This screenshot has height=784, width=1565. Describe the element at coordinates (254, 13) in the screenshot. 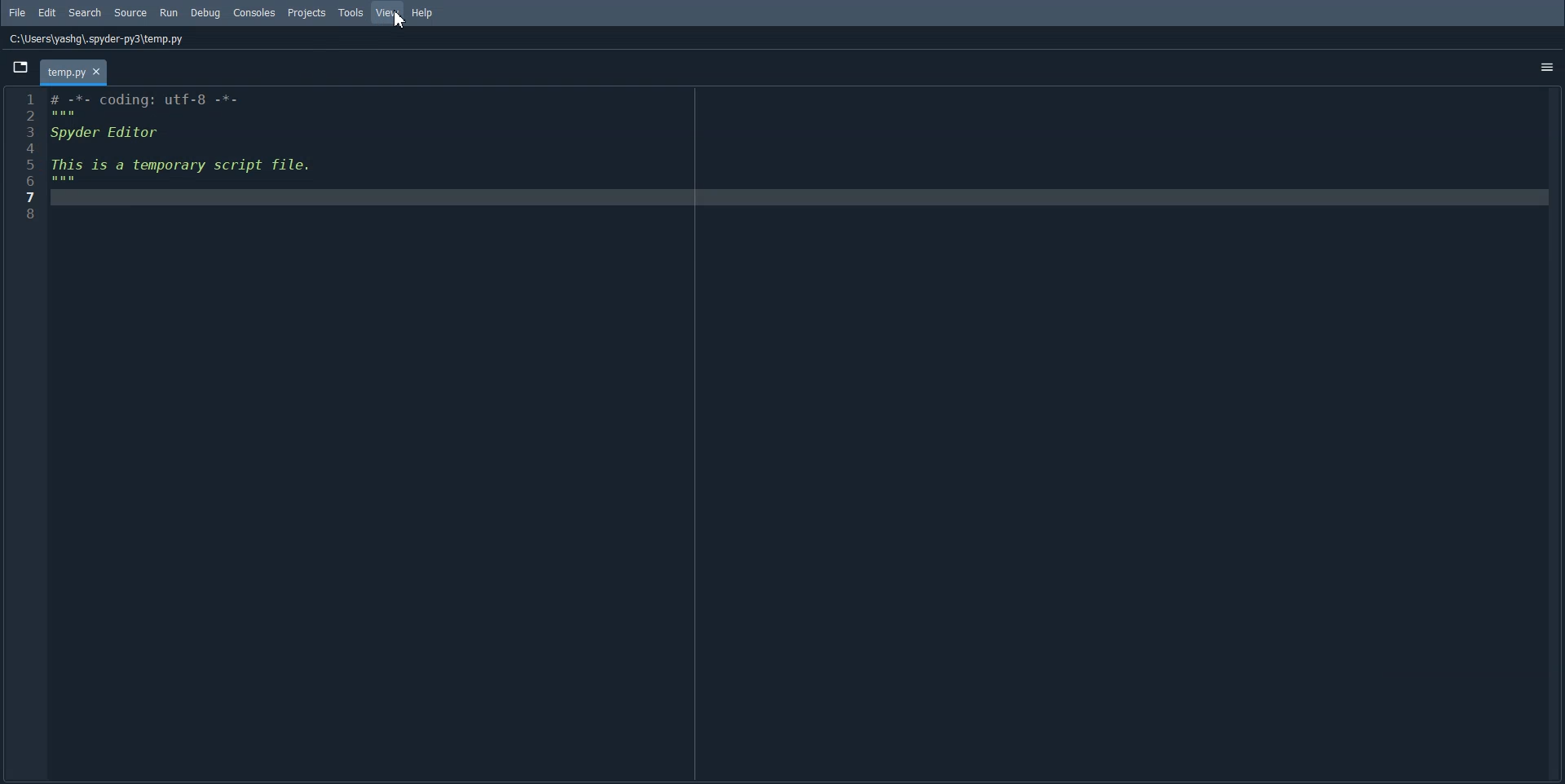

I see `Consoles` at that location.